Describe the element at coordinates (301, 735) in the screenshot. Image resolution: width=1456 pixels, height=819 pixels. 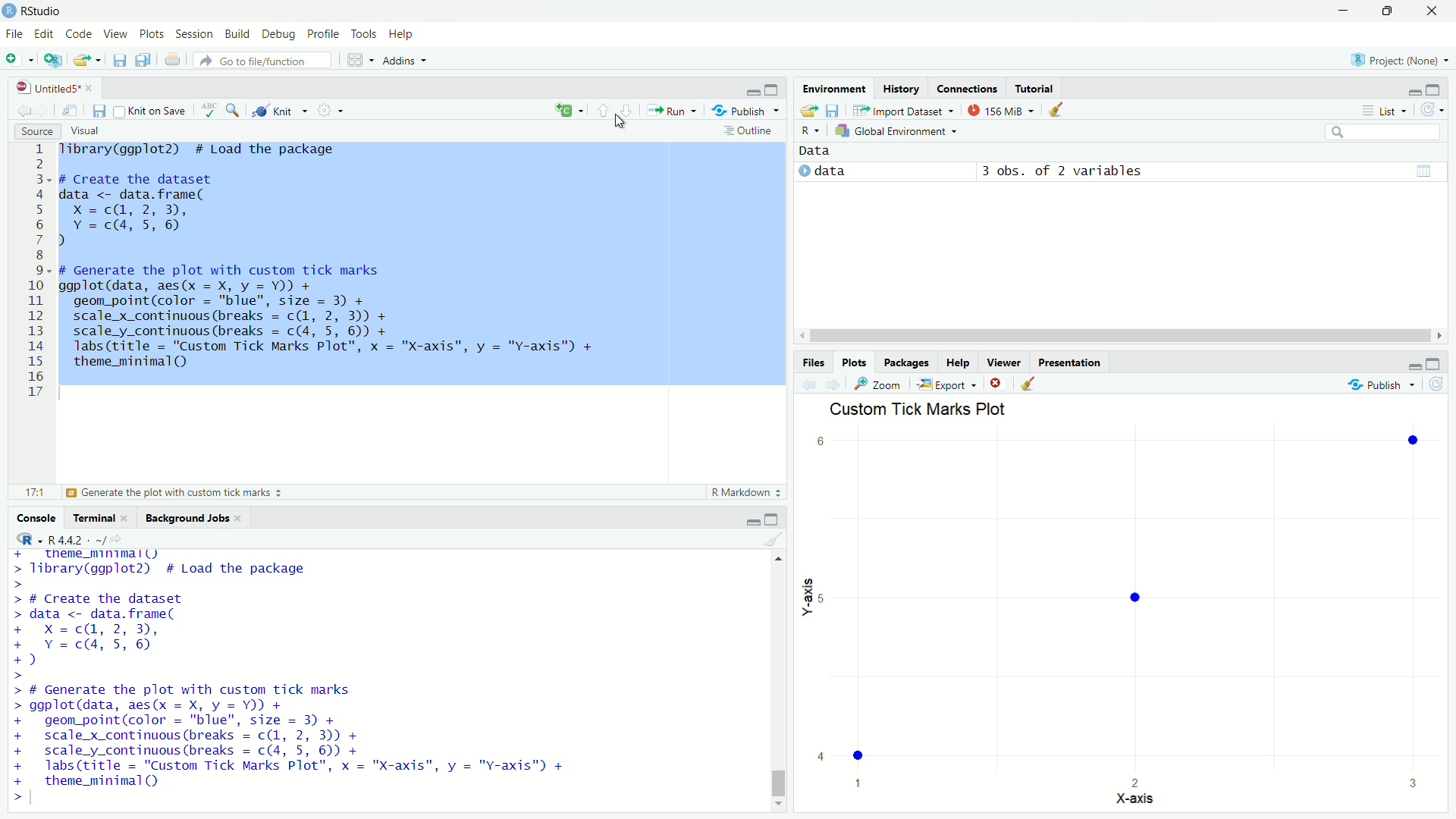
I see `code to generate the plot with custom tick marks` at that location.